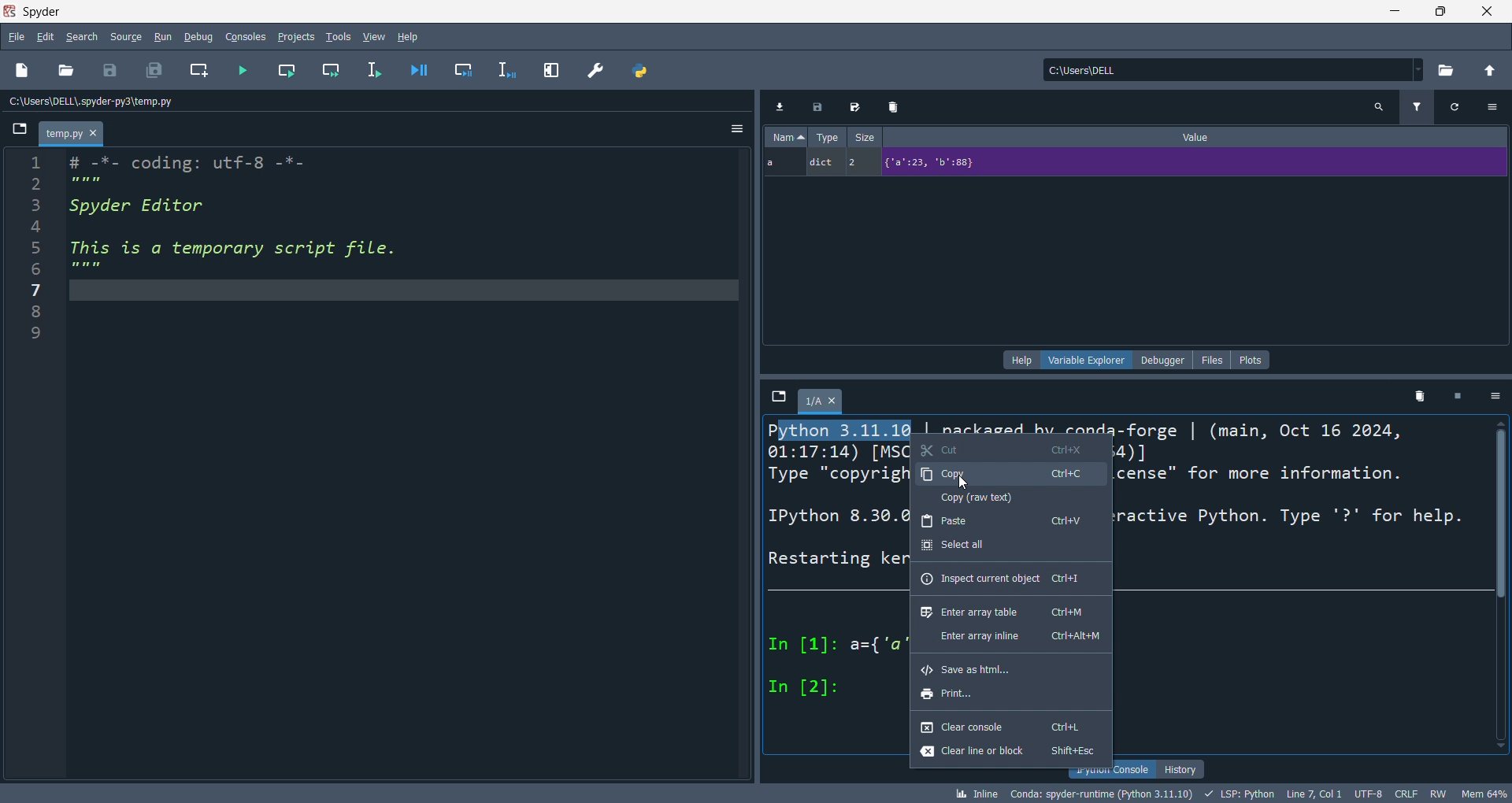 The image size is (1512, 803). Describe the element at coordinates (737, 130) in the screenshot. I see `options` at that location.